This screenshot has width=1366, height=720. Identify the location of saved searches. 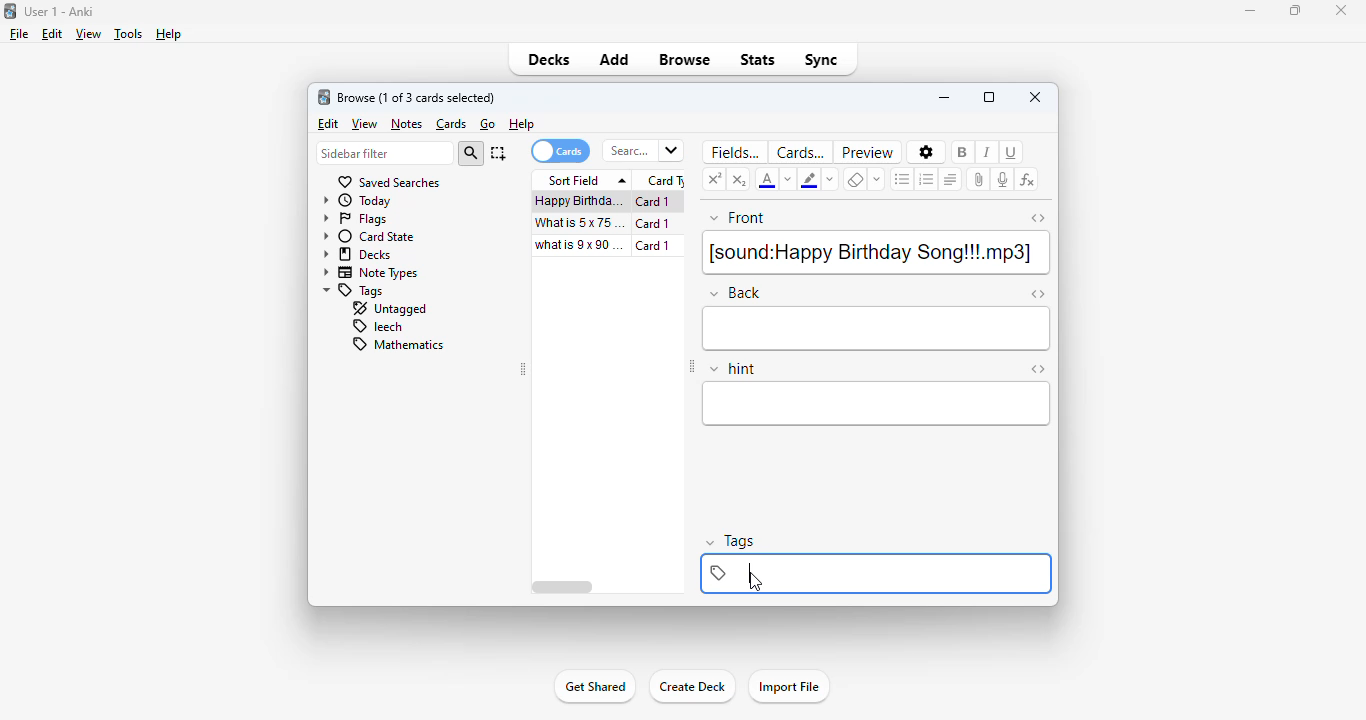
(388, 182).